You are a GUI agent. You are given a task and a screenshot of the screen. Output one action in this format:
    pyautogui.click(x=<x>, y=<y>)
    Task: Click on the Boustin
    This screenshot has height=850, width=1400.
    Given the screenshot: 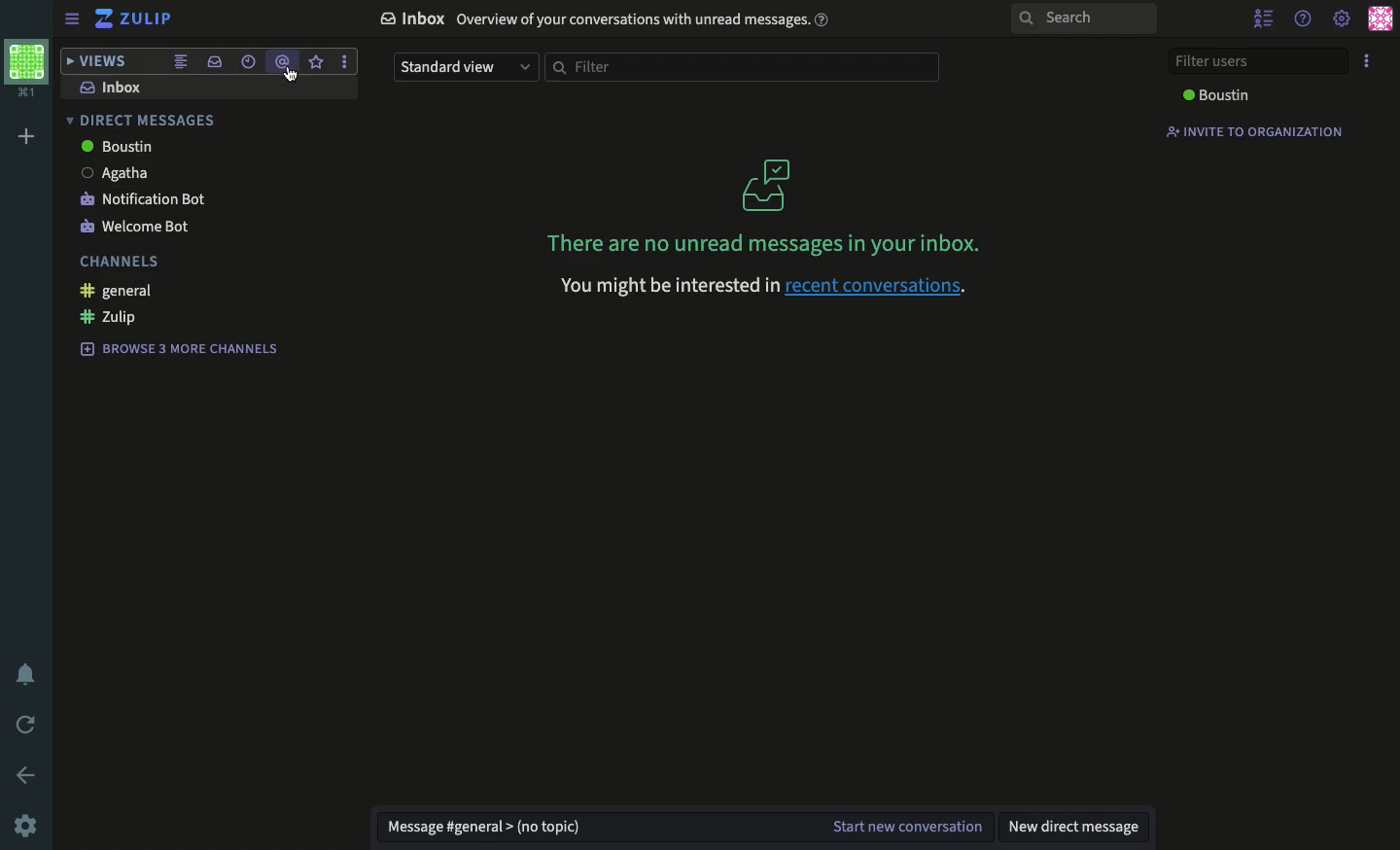 What is the action you would take?
    pyautogui.click(x=1220, y=93)
    